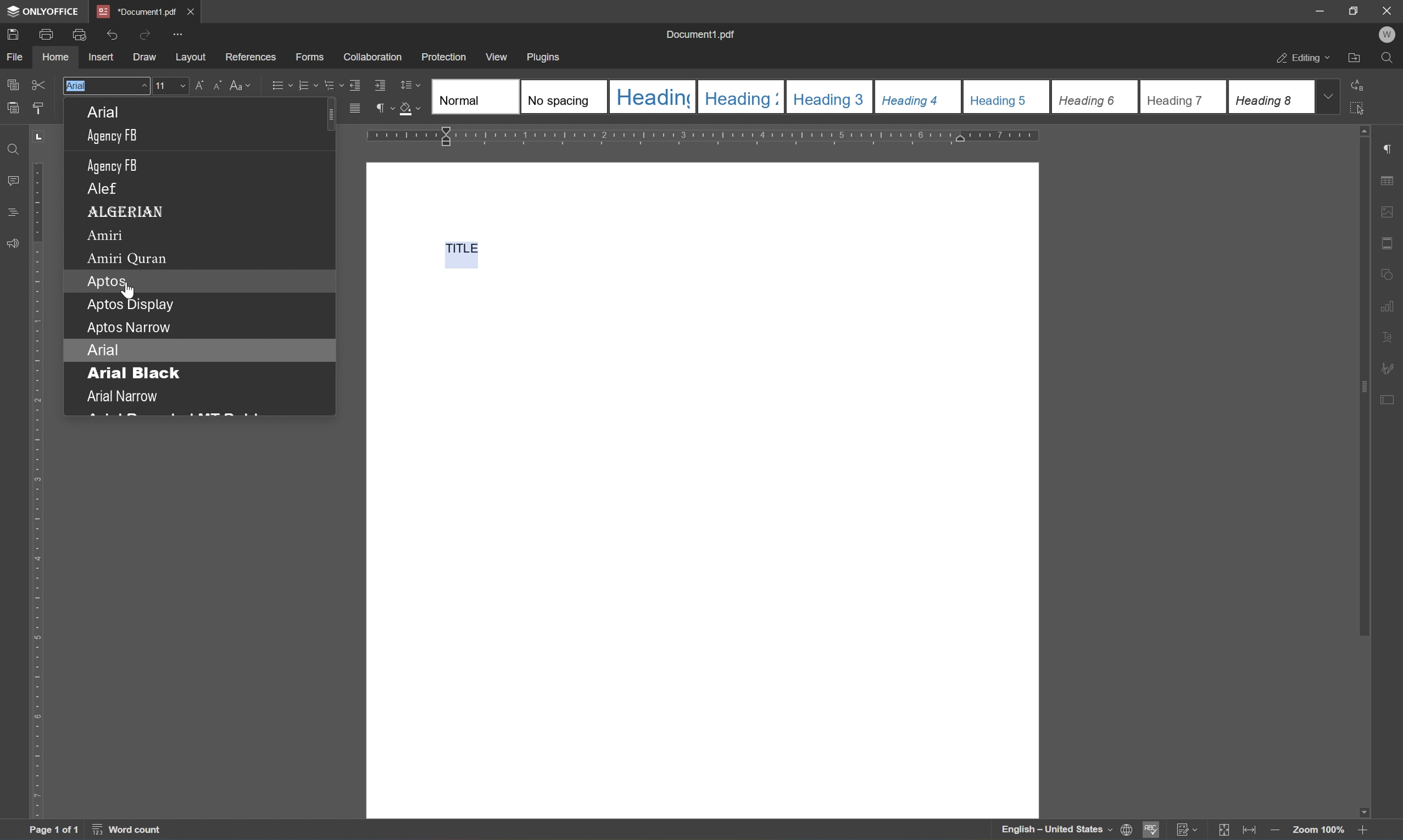 This screenshot has width=1403, height=840. I want to click on customize quick access toolbar, so click(180, 33).